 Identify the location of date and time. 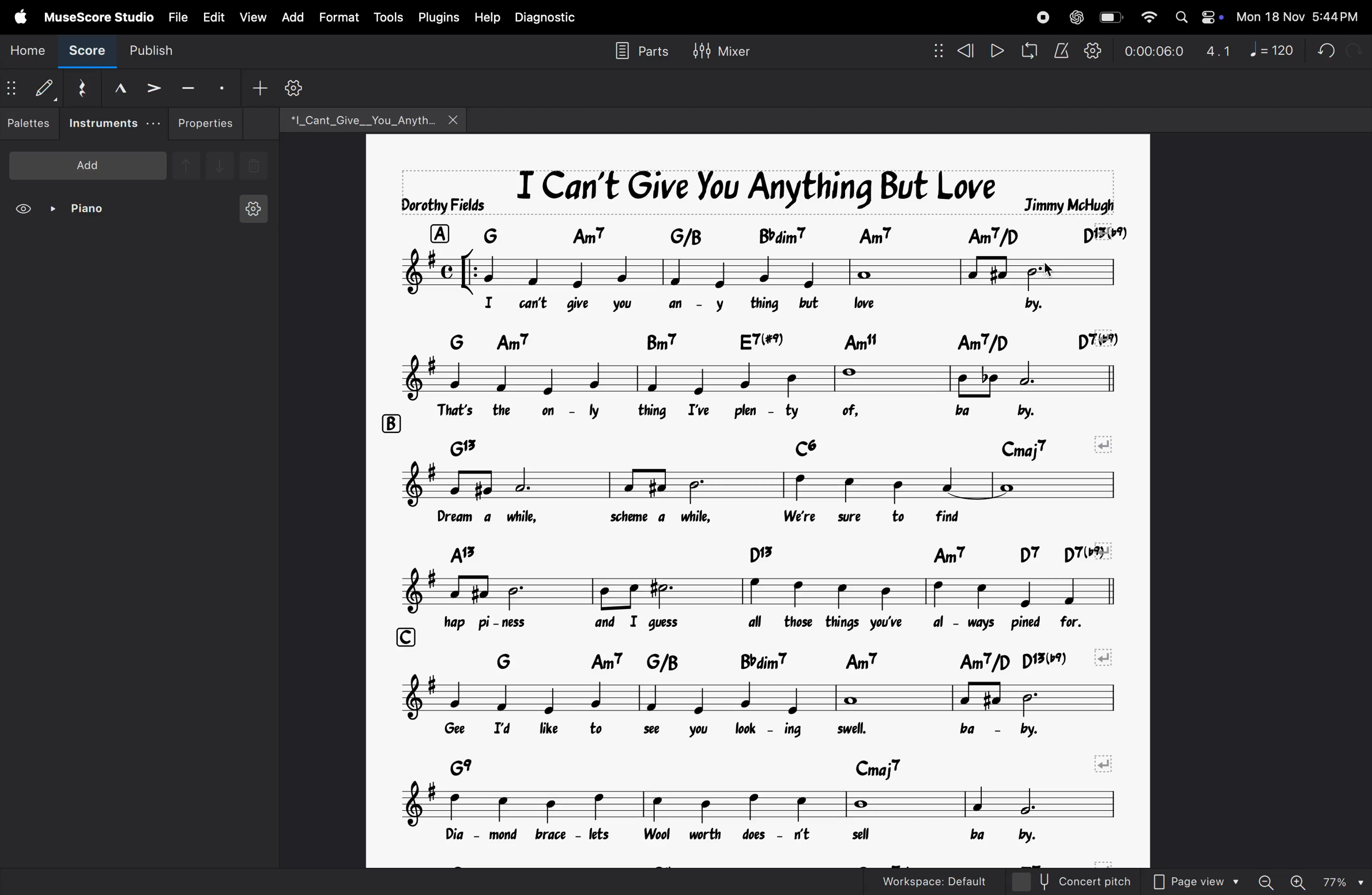
(1296, 16).